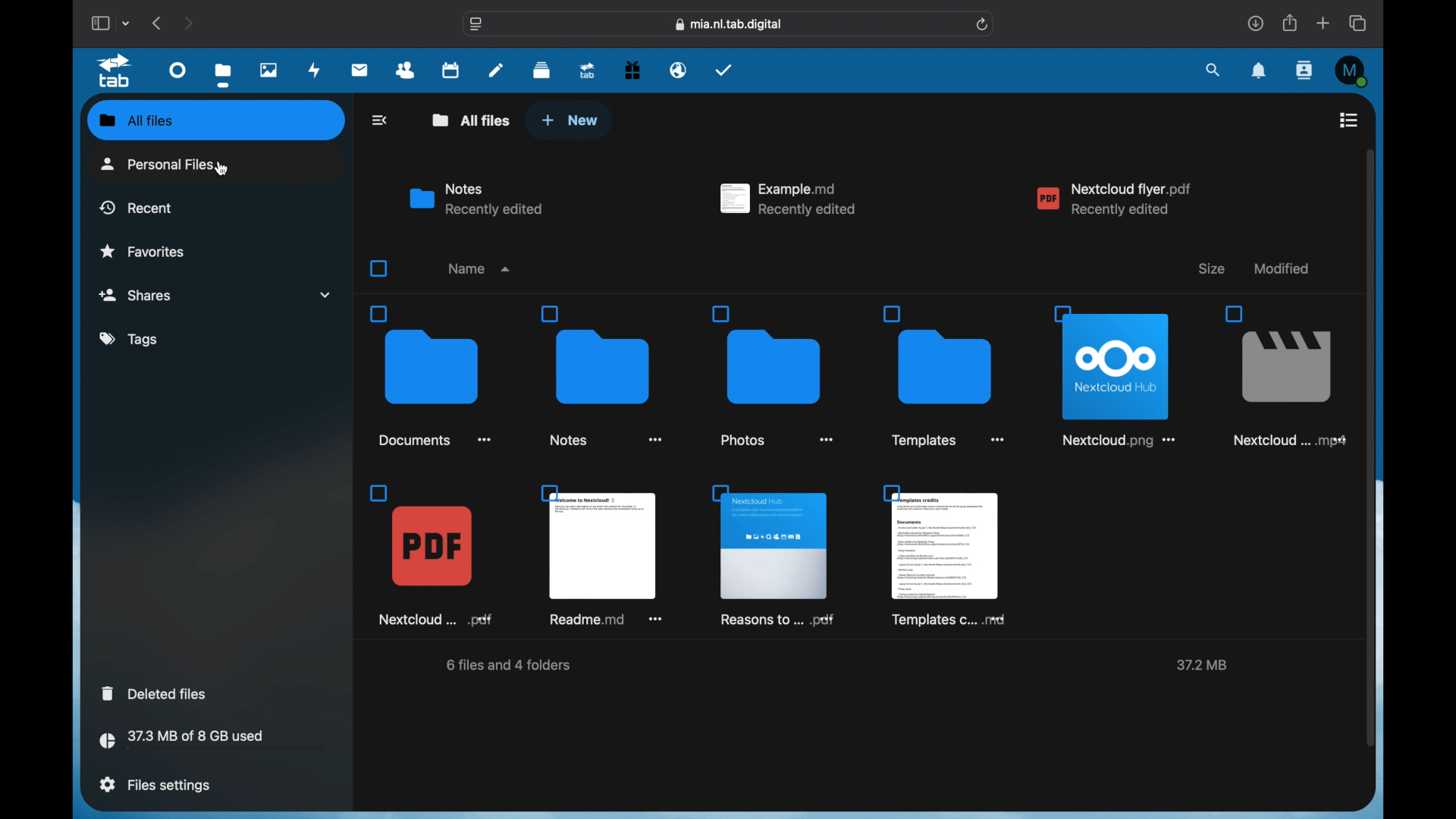 This screenshot has width=1456, height=819. Describe the element at coordinates (604, 556) in the screenshot. I see `file` at that location.